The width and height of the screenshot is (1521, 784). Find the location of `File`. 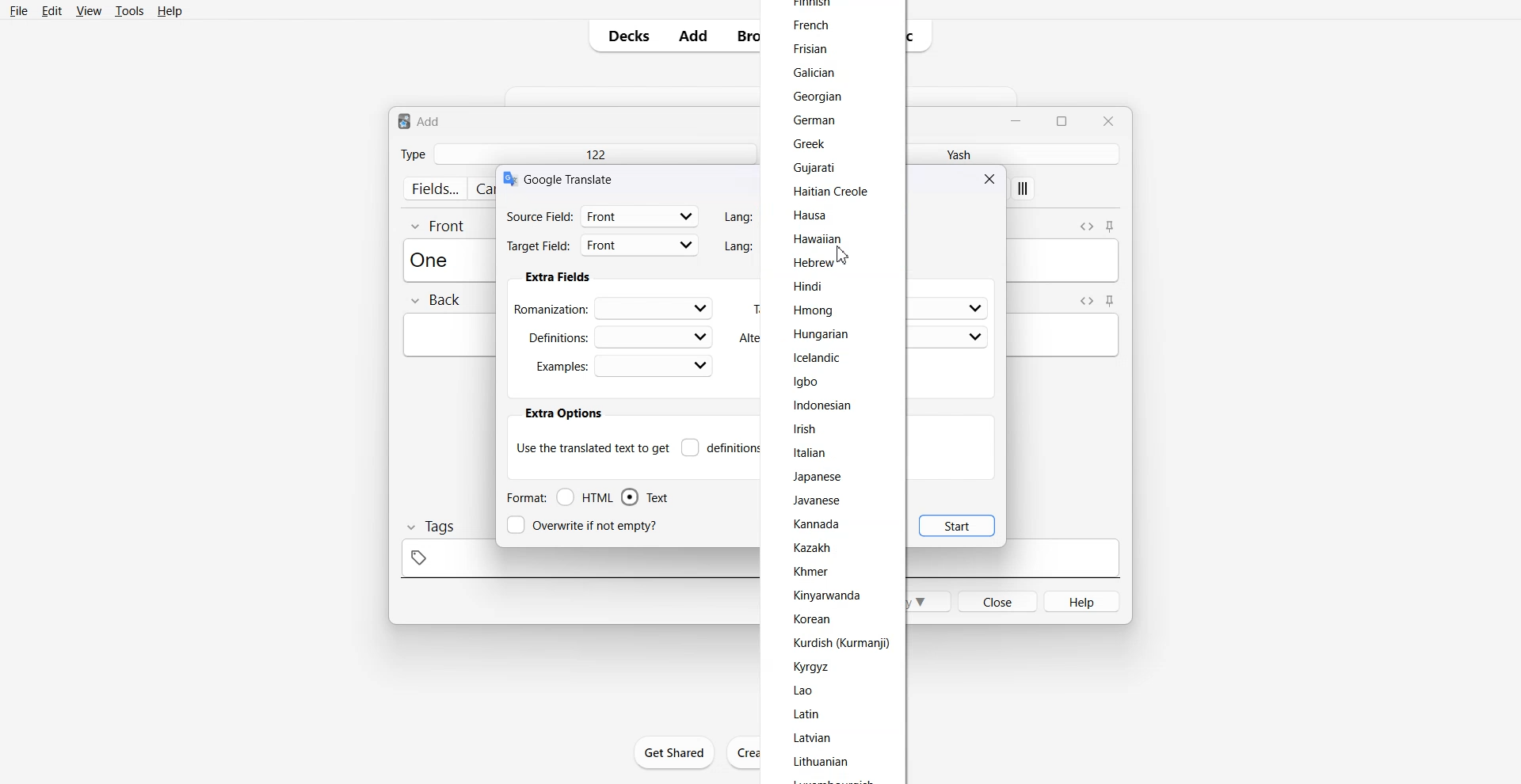

File is located at coordinates (20, 10).